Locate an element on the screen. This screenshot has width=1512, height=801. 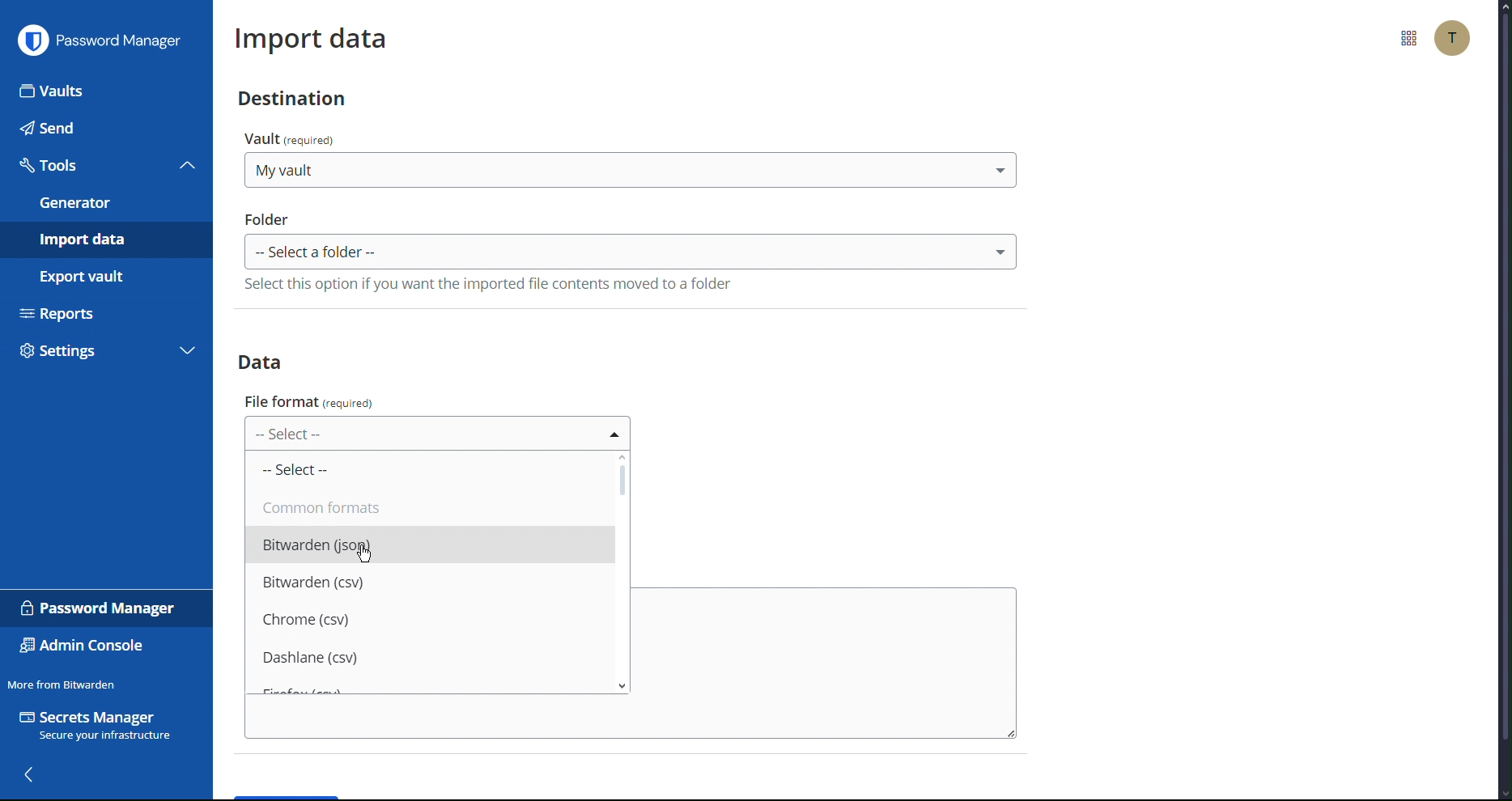
Settings is located at coordinates (87, 354).